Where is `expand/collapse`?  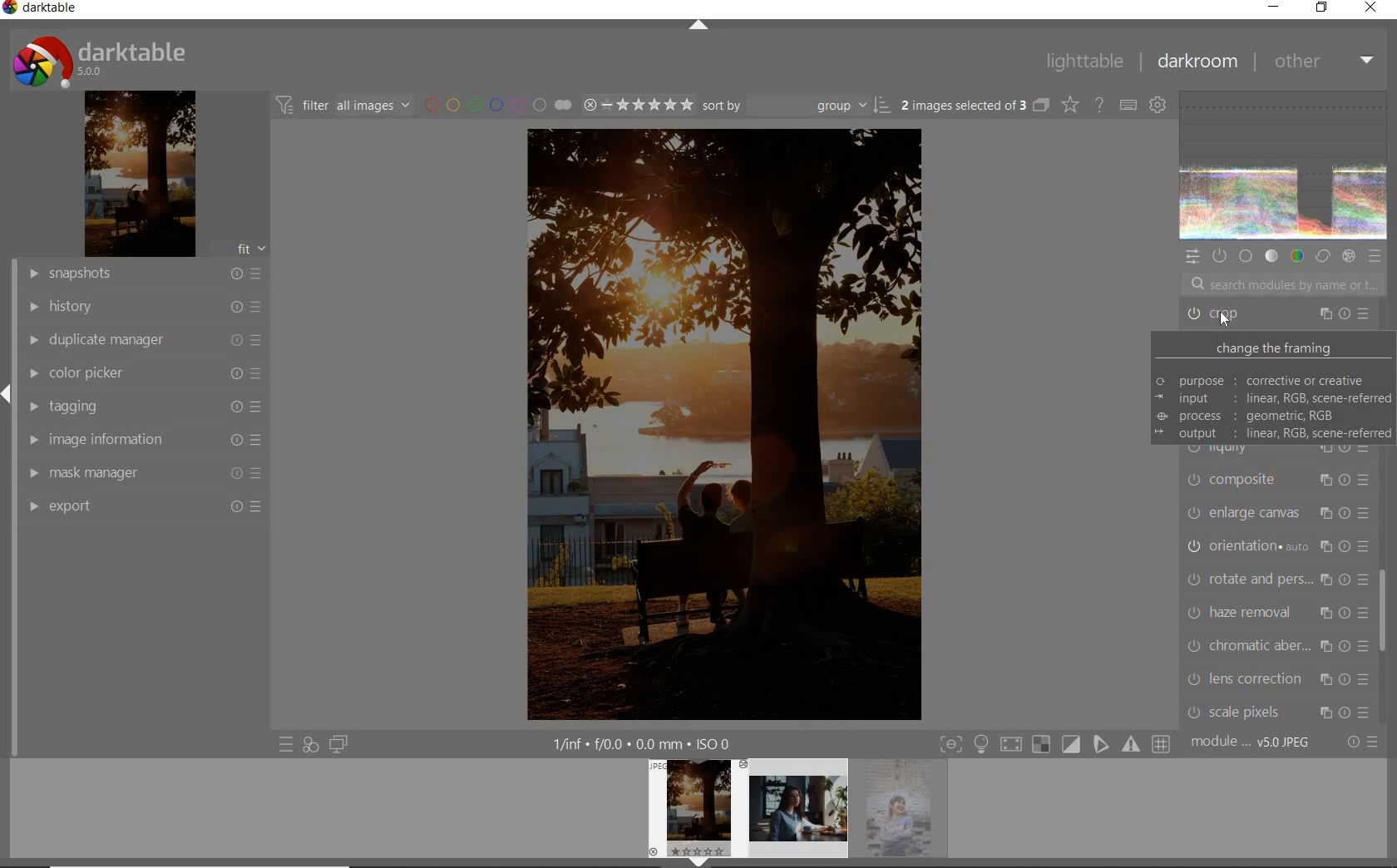 expand/collapse is located at coordinates (698, 28).